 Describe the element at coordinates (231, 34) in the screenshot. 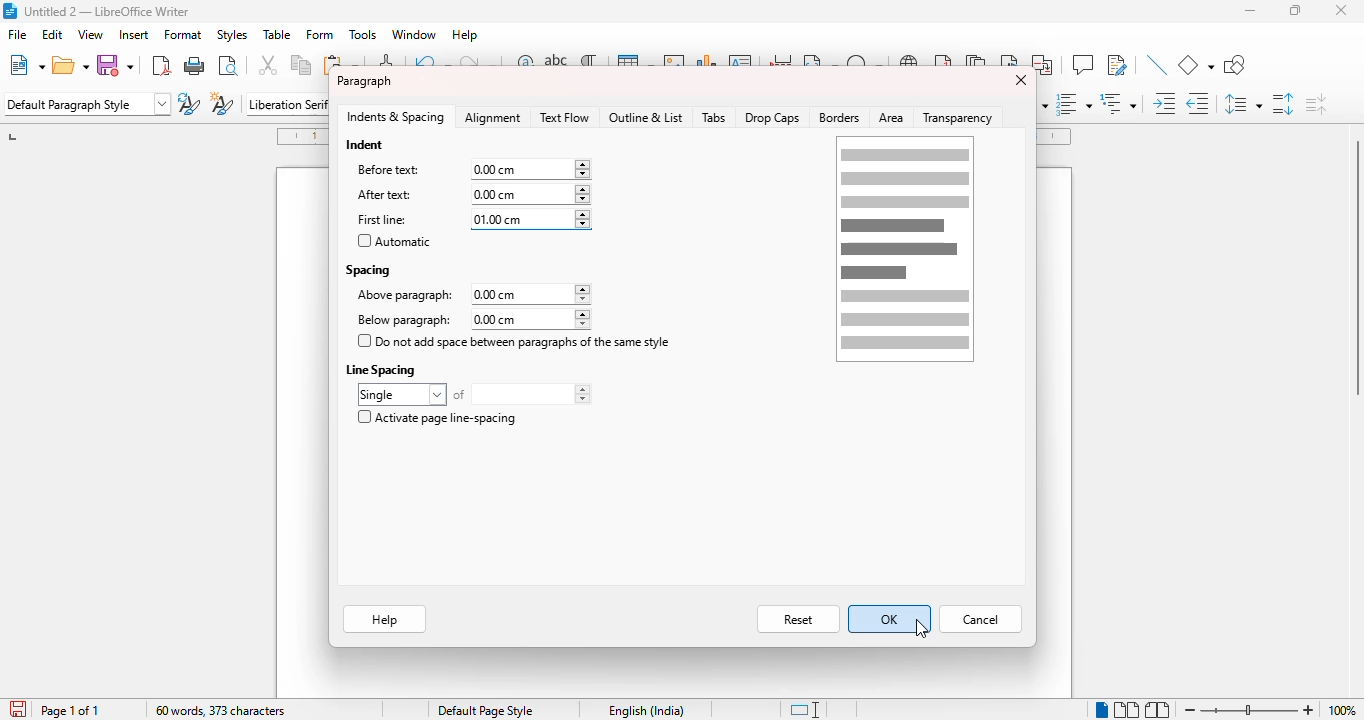

I see `styles` at that location.